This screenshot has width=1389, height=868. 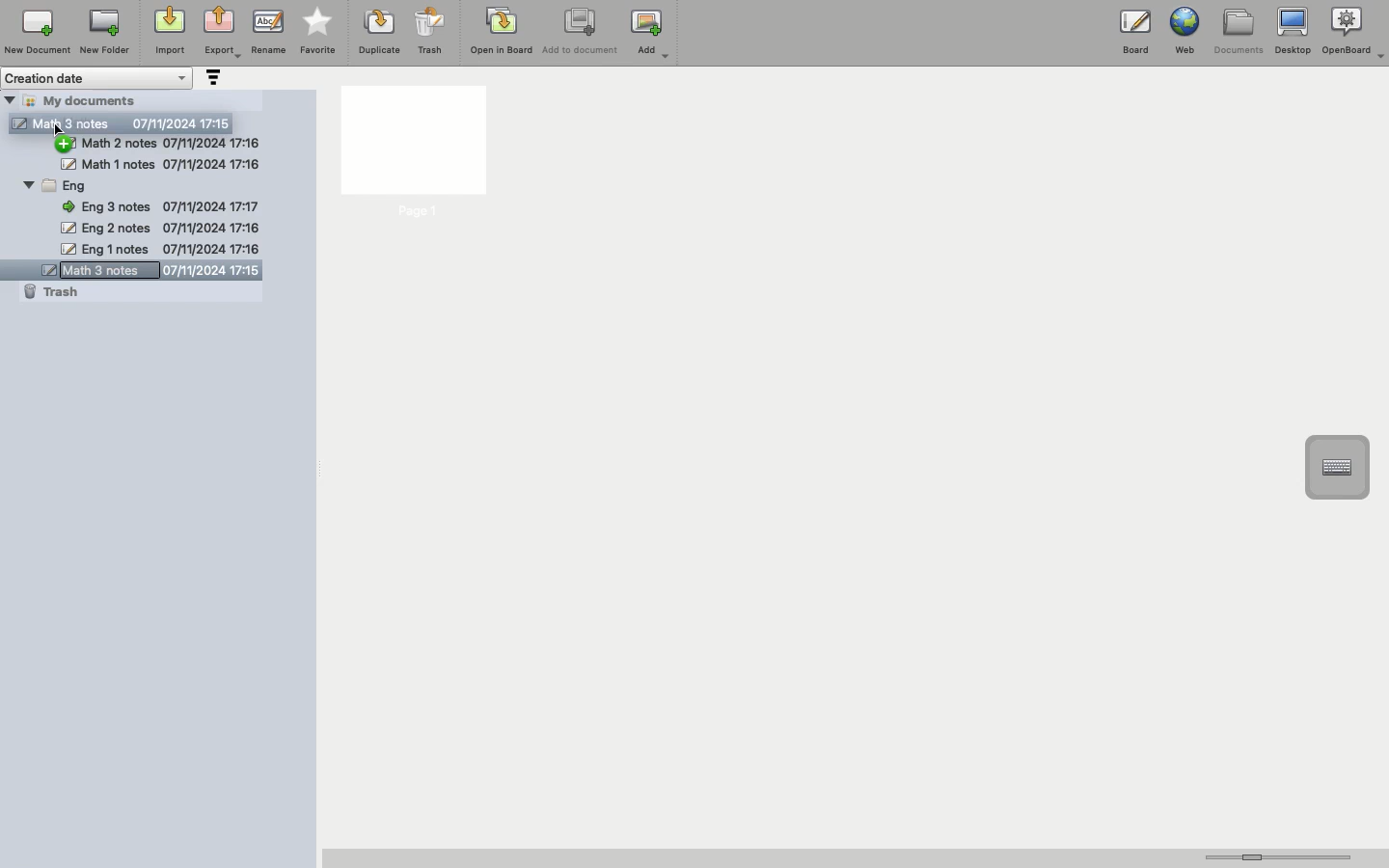 I want to click on Duplicate, so click(x=377, y=32).